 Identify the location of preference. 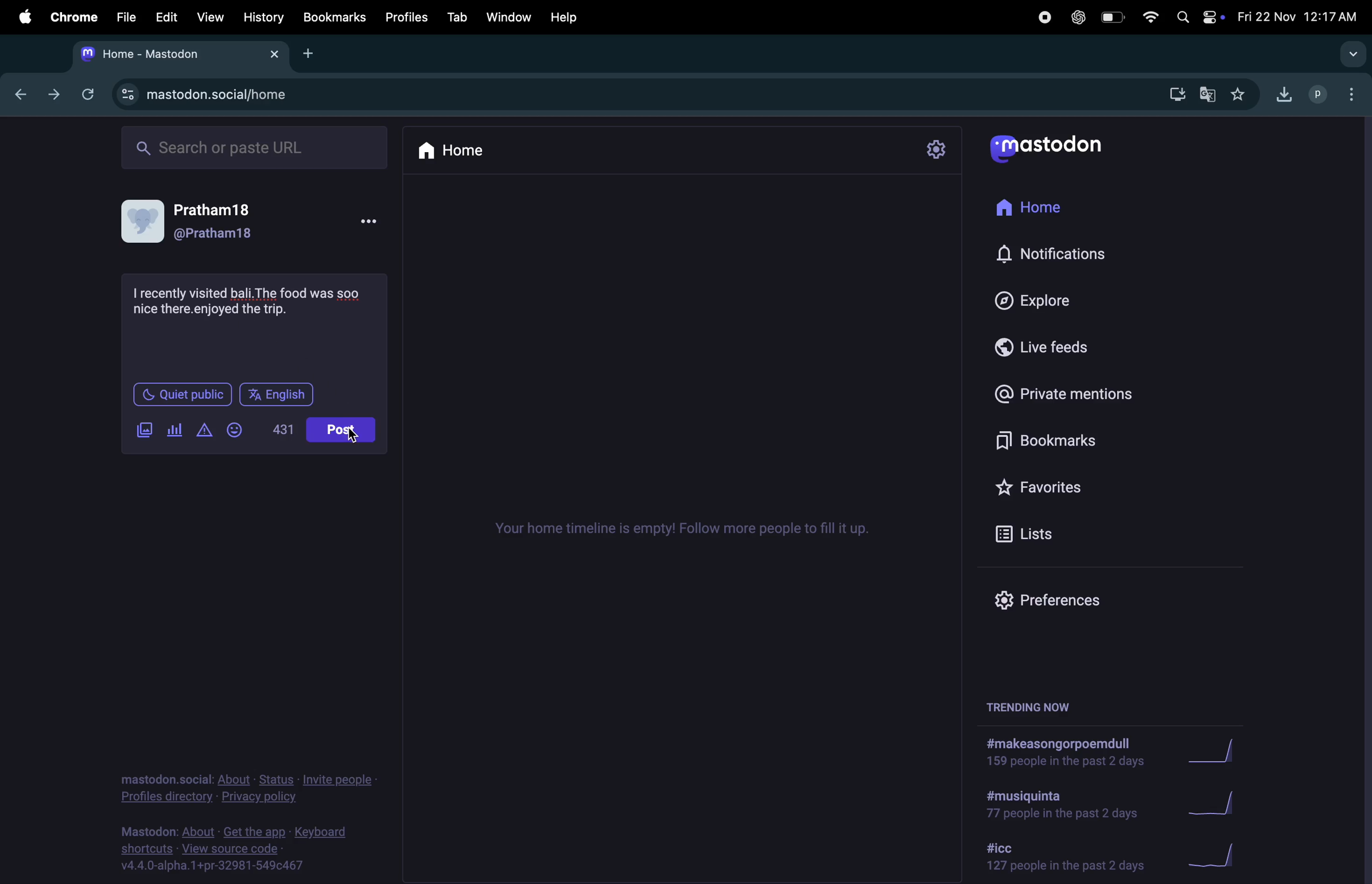
(1057, 600).